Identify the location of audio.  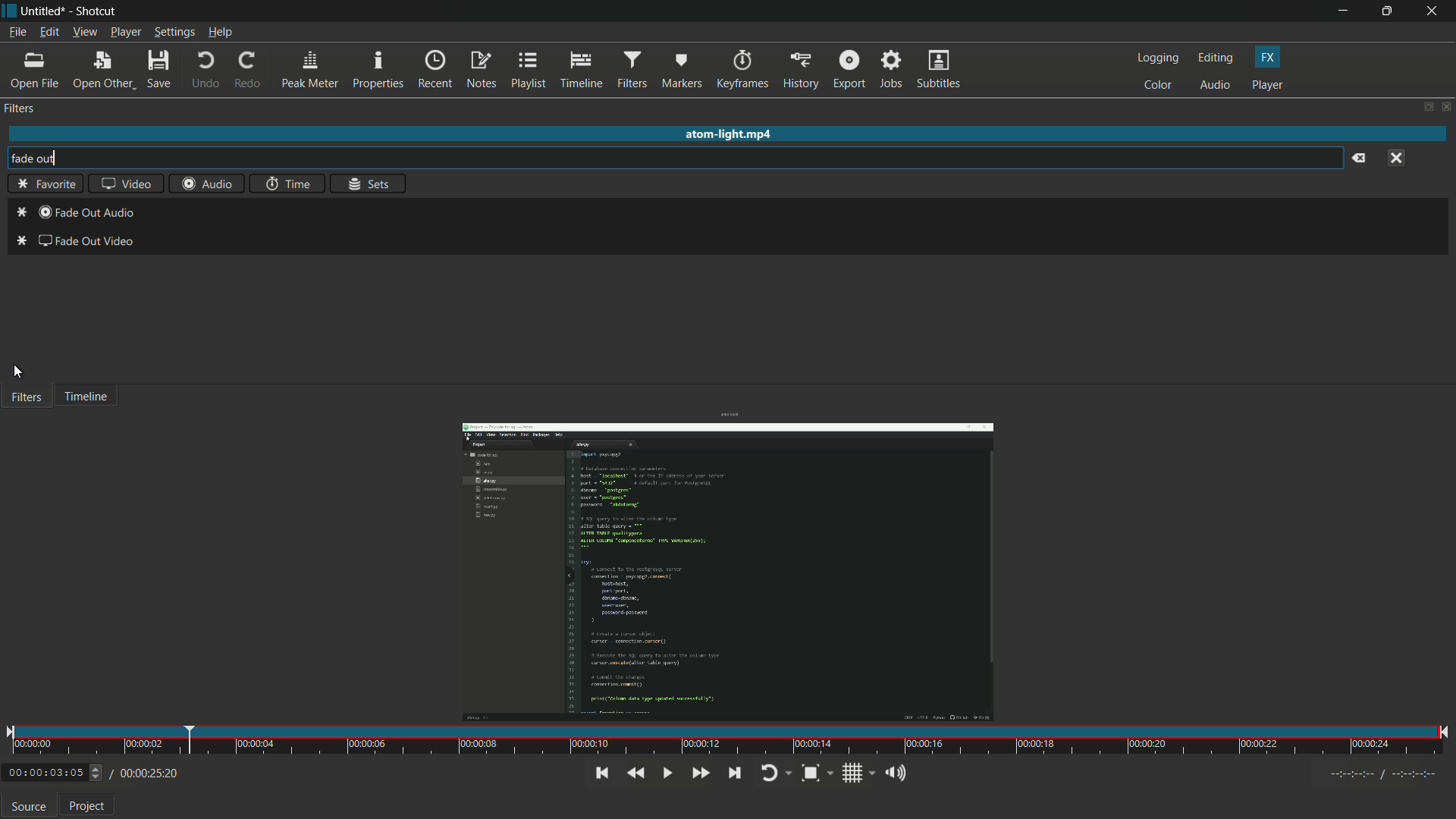
(209, 184).